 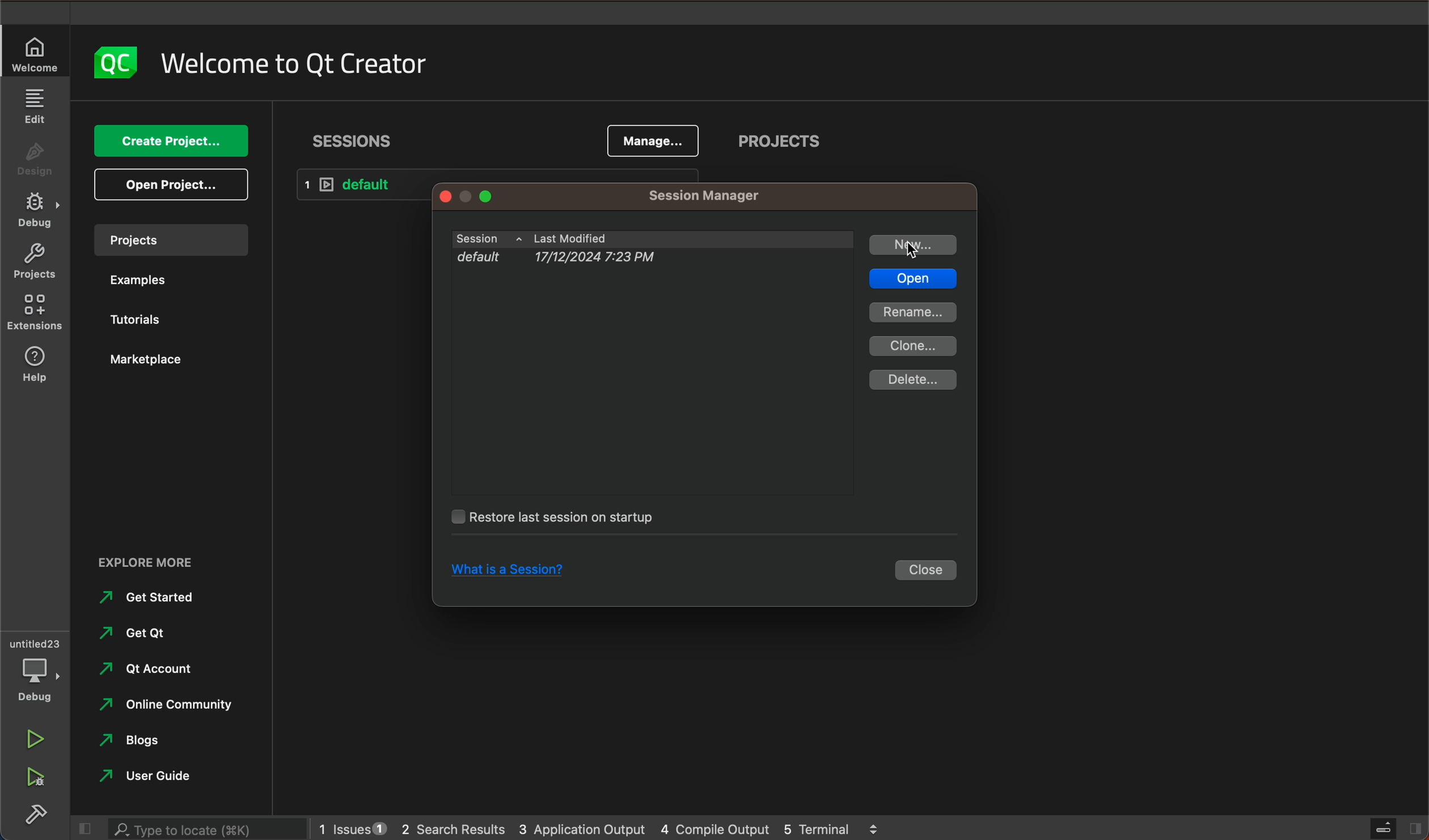 What do you see at coordinates (34, 105) in the screenshot?
I see `edit` at bounding box center [34, 105].